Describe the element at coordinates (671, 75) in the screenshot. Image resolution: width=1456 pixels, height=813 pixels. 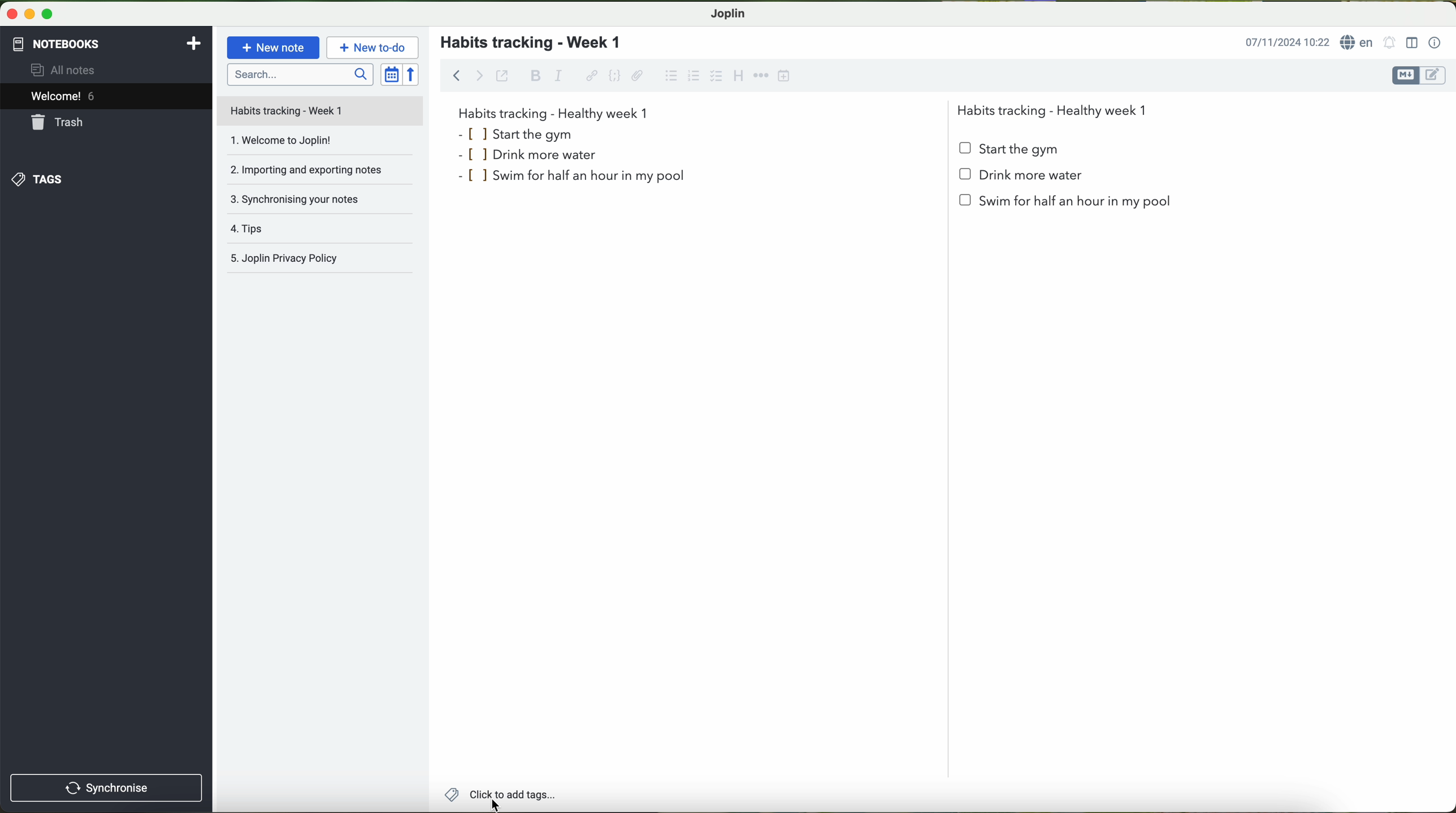
I see `bulleted list` at that location.